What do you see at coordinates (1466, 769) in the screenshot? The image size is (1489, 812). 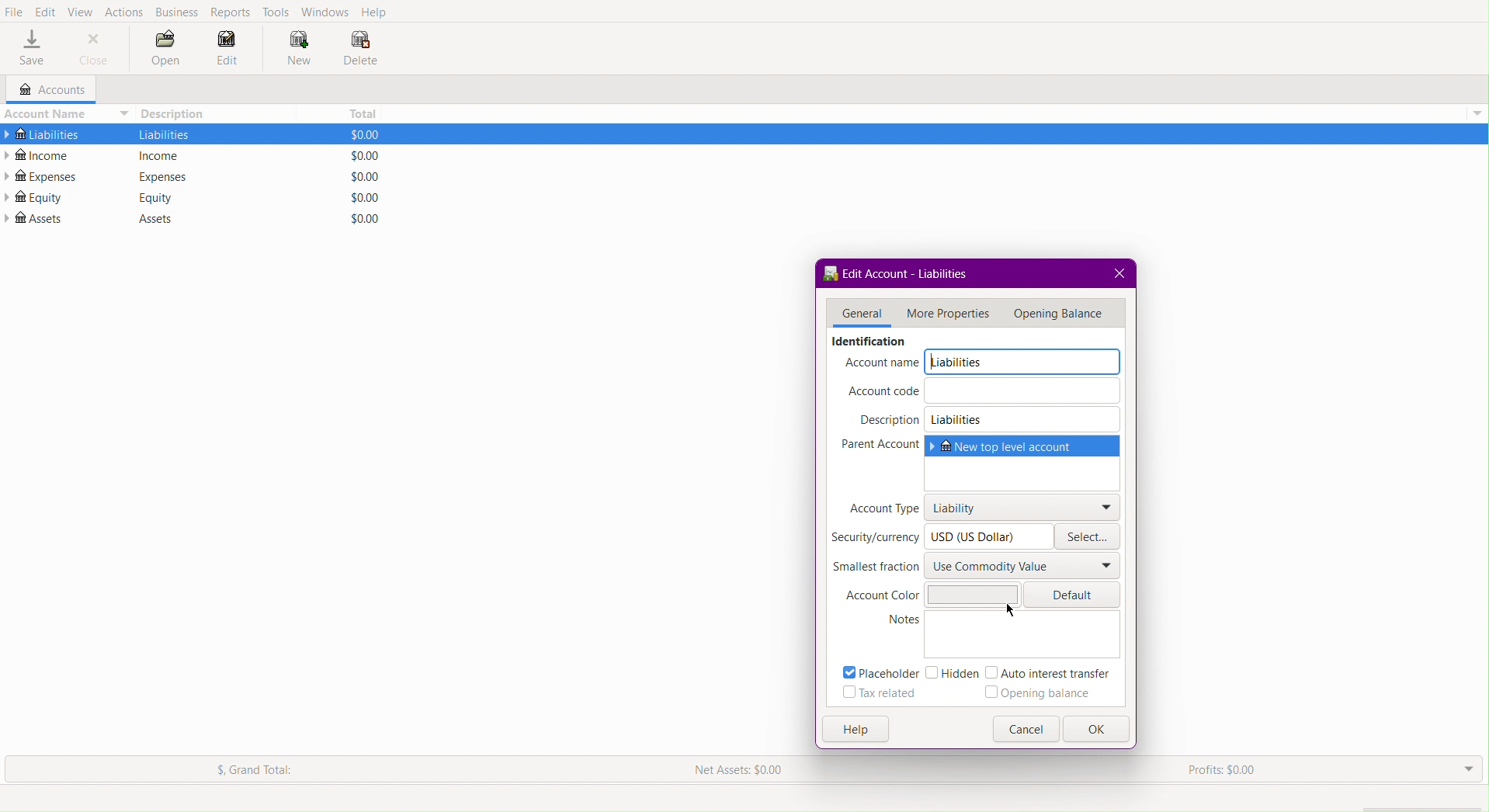 I see `Drop Down` at bounding box center [1466, 769].